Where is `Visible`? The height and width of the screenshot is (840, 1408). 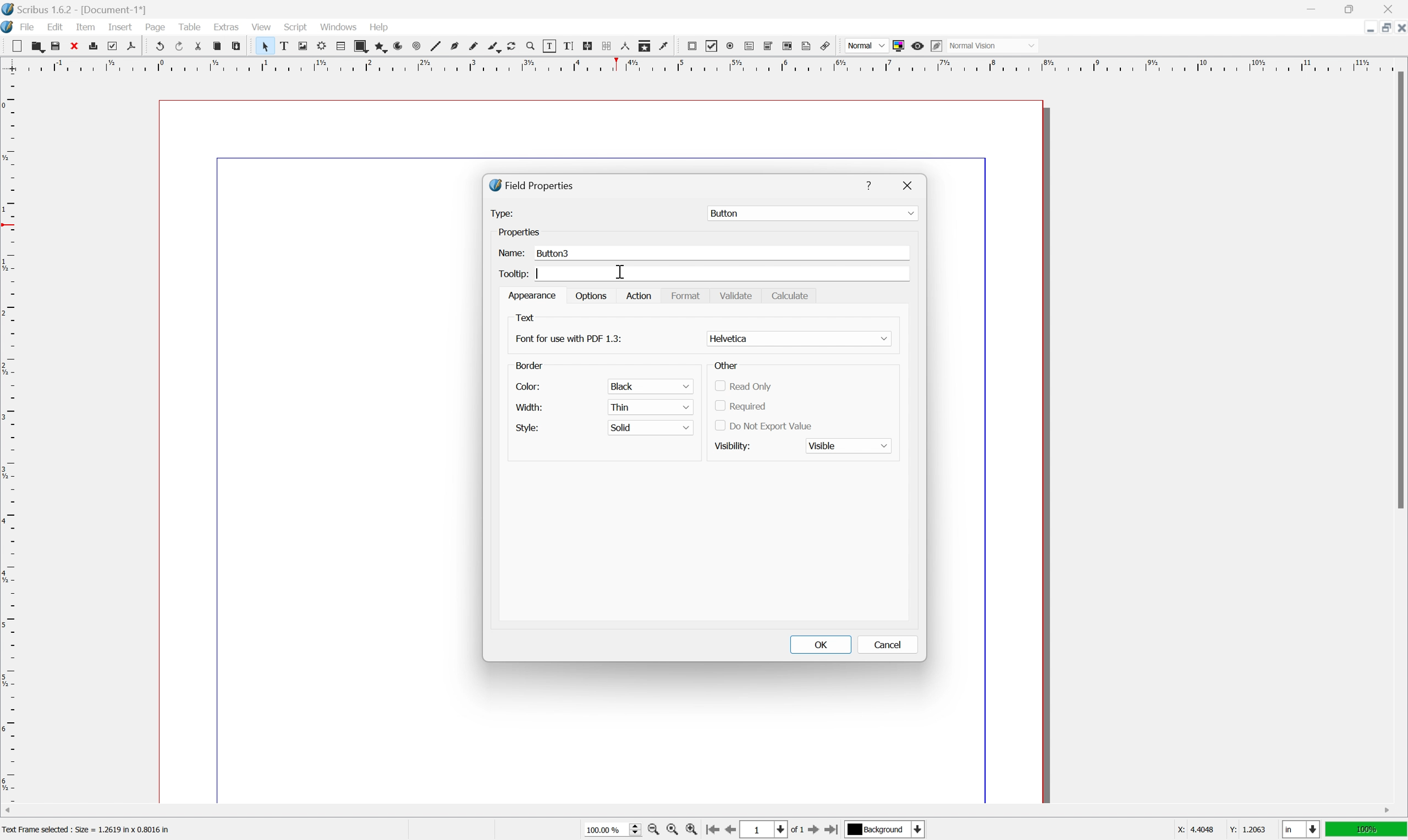 Visible is located at coordinates (849, 444).